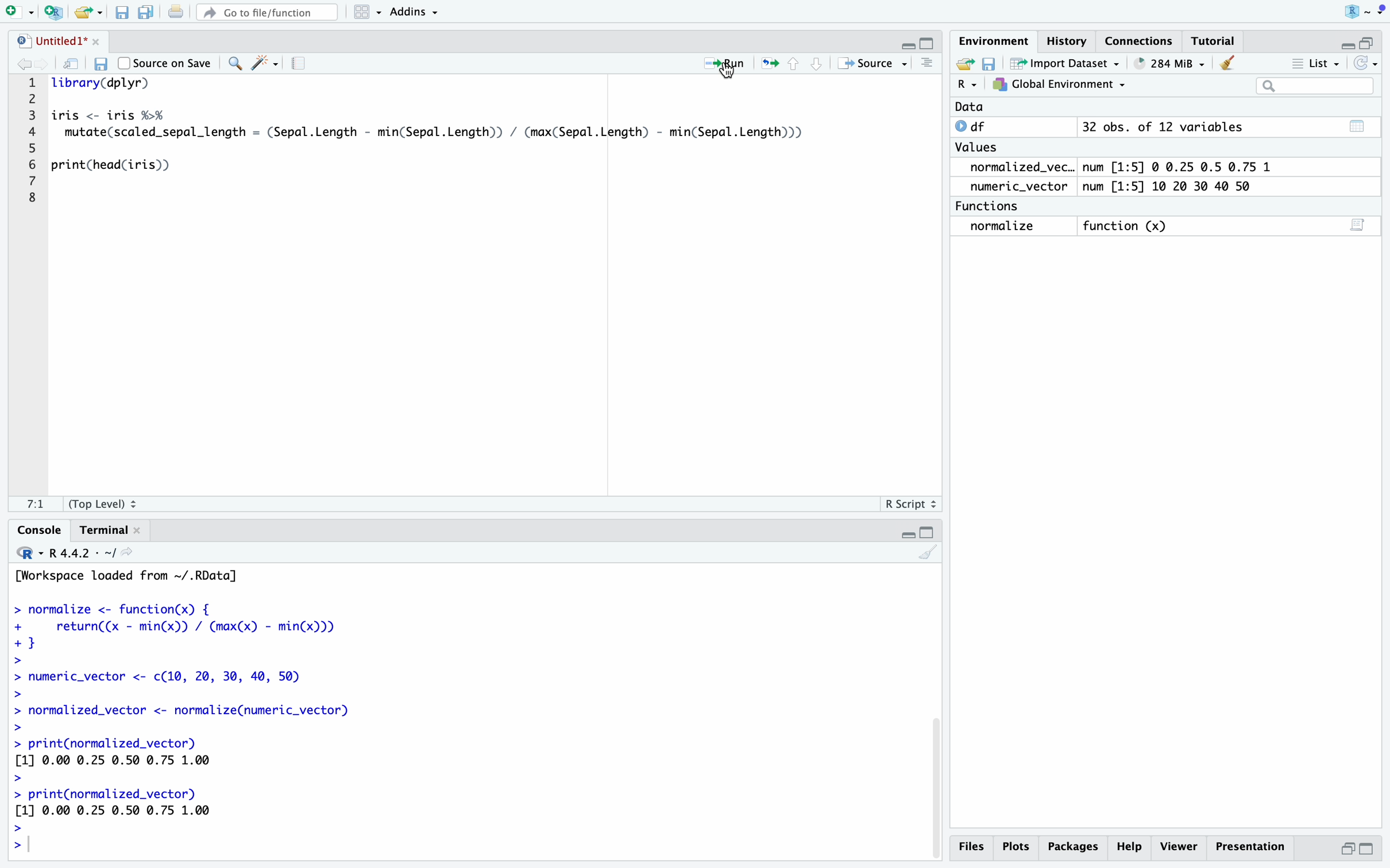 Image resolution: width=1390 pixels, height=868 pixels. I want to click on Front, so click(47, 63).